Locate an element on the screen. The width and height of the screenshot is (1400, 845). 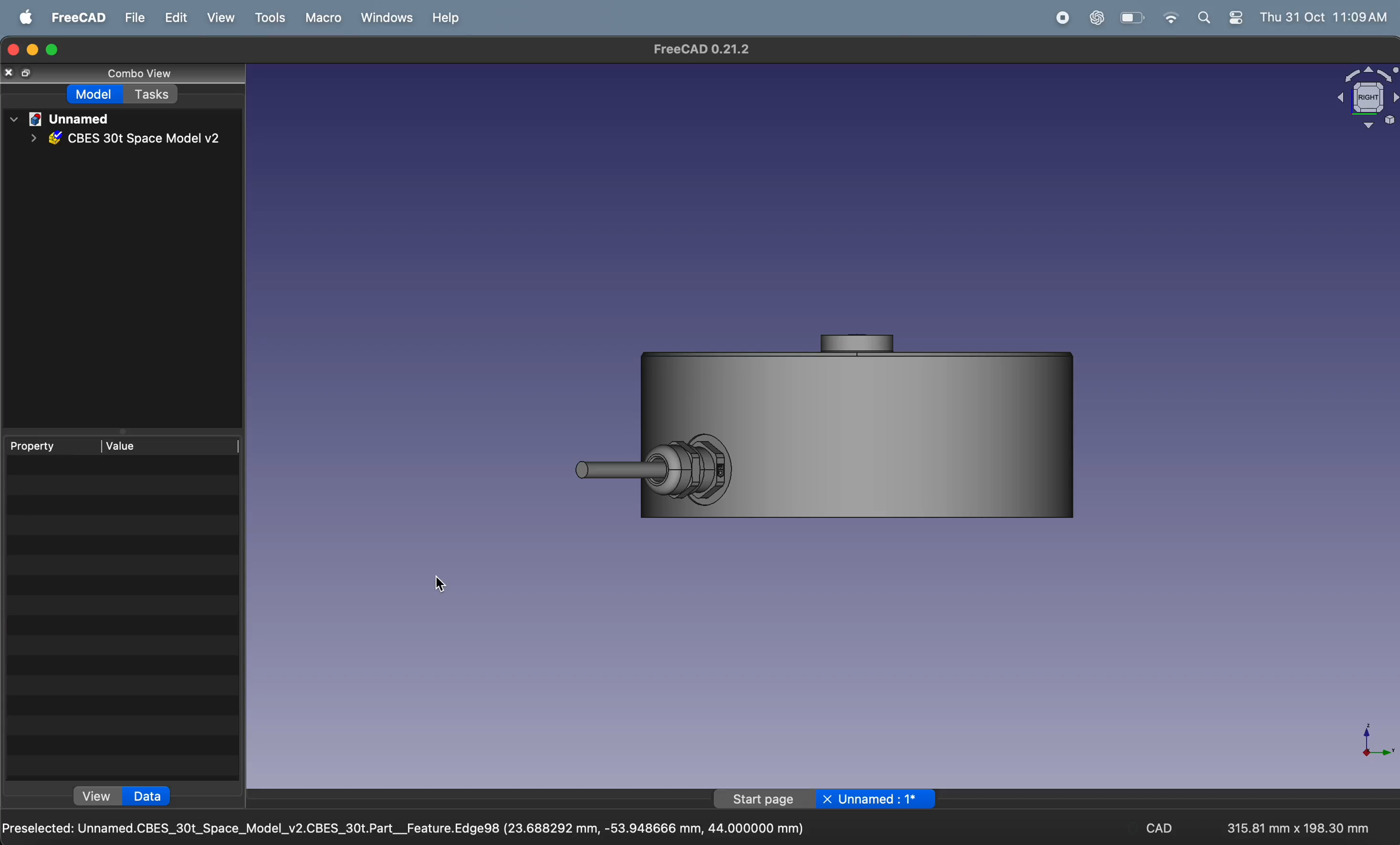
file is located at coordinates (135, 17).